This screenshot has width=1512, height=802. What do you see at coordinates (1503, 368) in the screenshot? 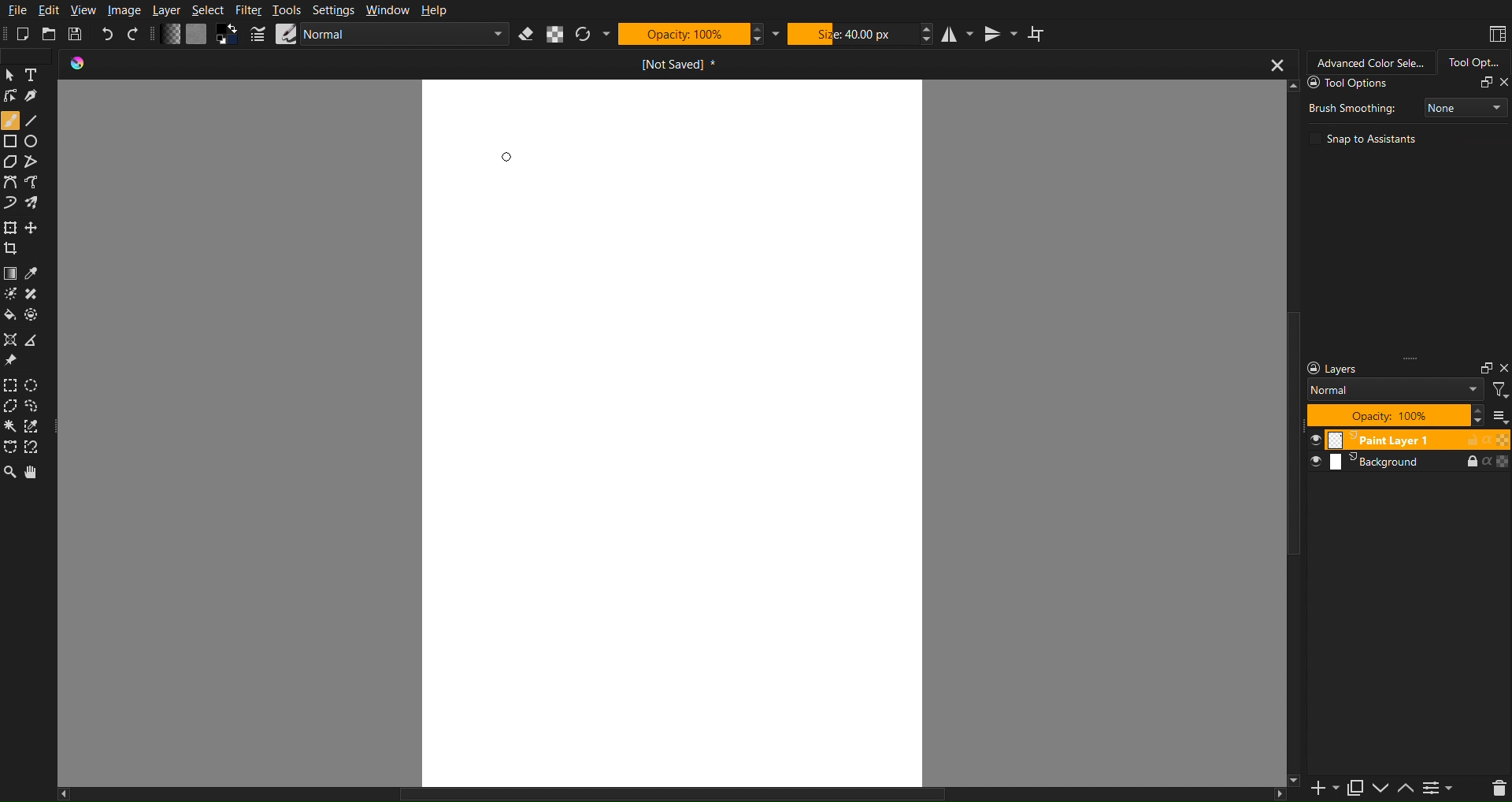
I see `Close` at bounding box center [1503, 368].